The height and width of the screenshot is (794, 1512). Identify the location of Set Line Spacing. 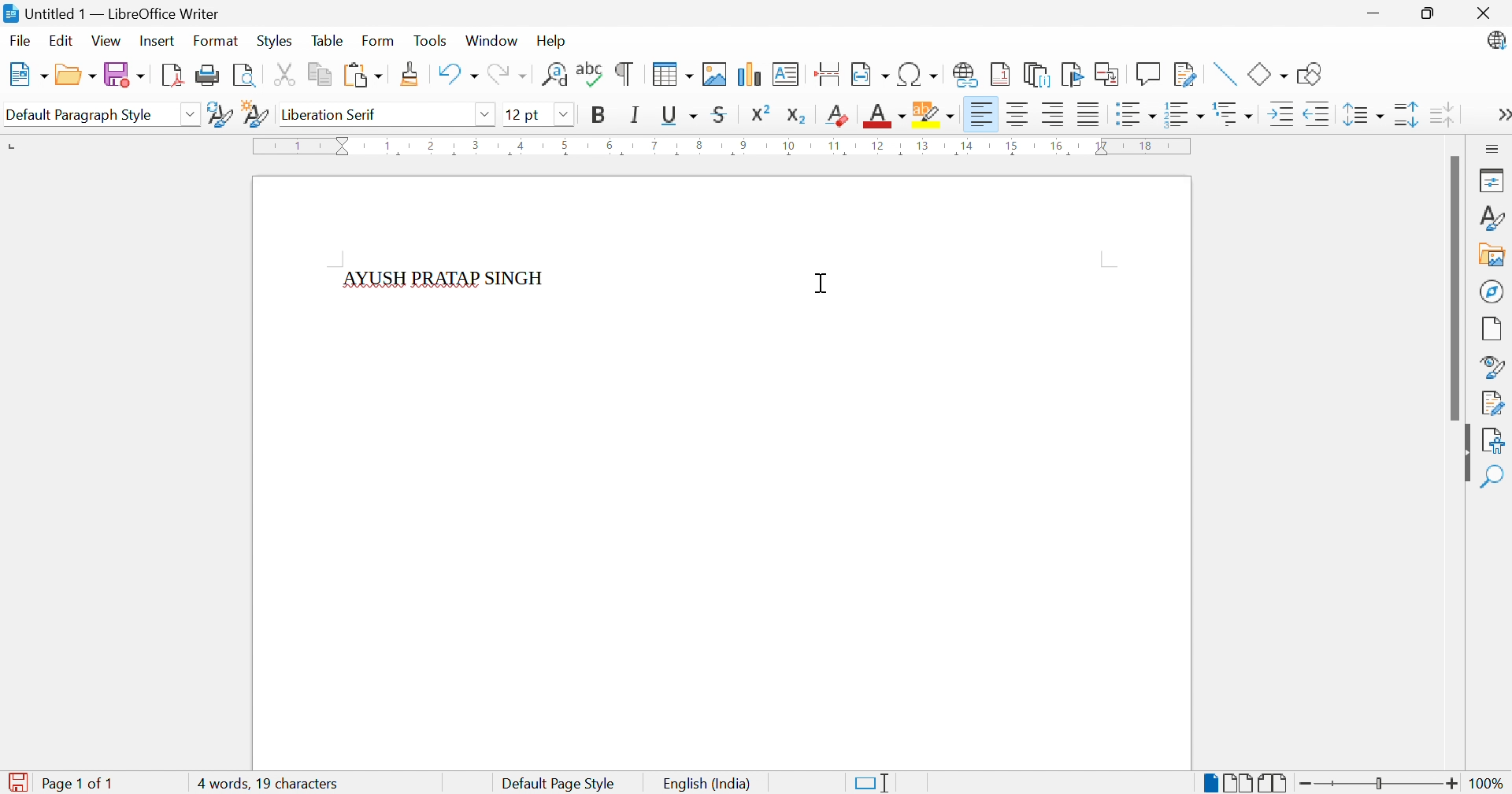
(1363, 116).